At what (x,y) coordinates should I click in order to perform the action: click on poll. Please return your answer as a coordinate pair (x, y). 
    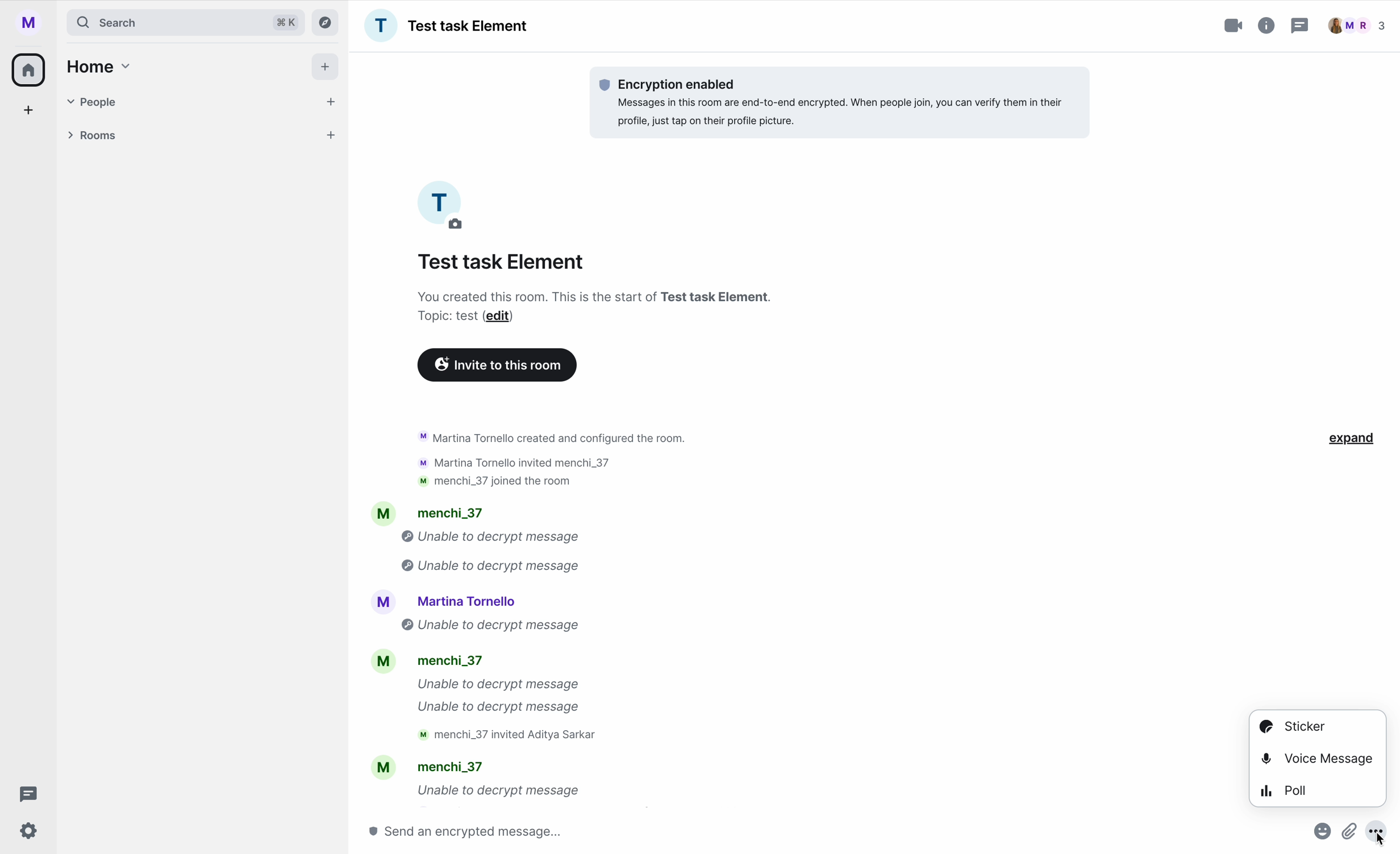
    Looking at the image, I should click on (1286, 789).